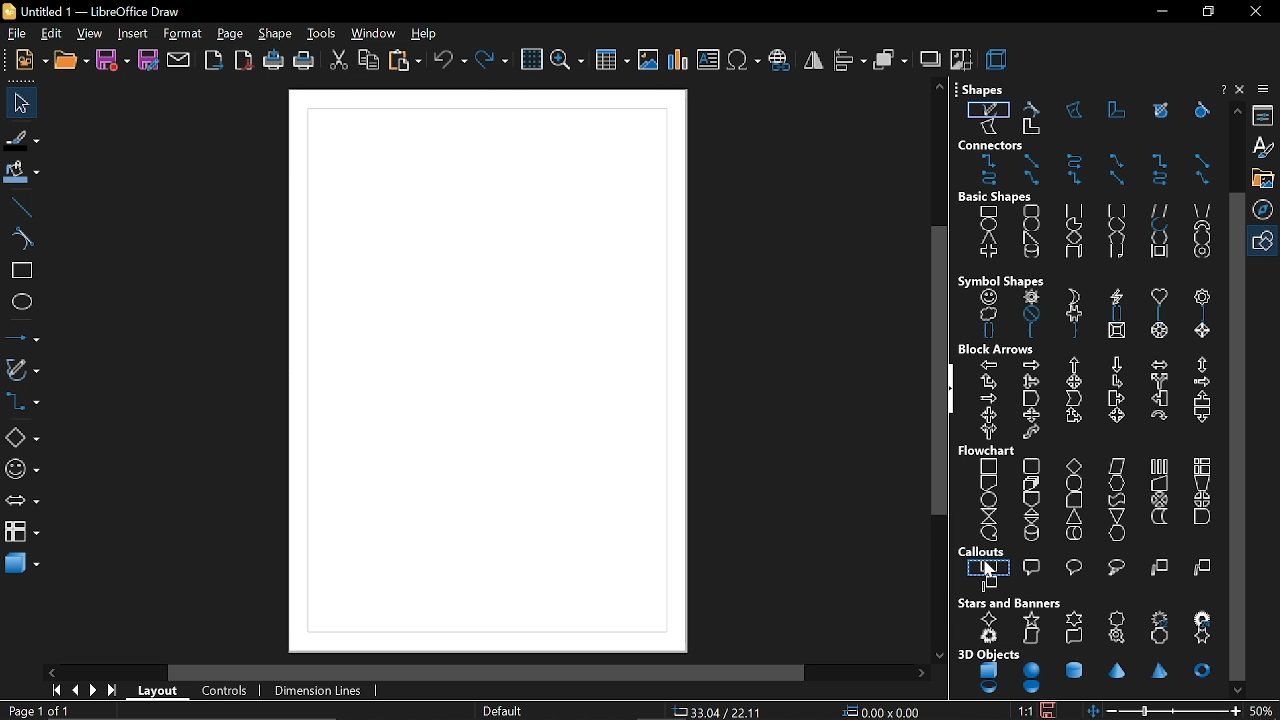  I want to click on sphere, so click(1031, 670).